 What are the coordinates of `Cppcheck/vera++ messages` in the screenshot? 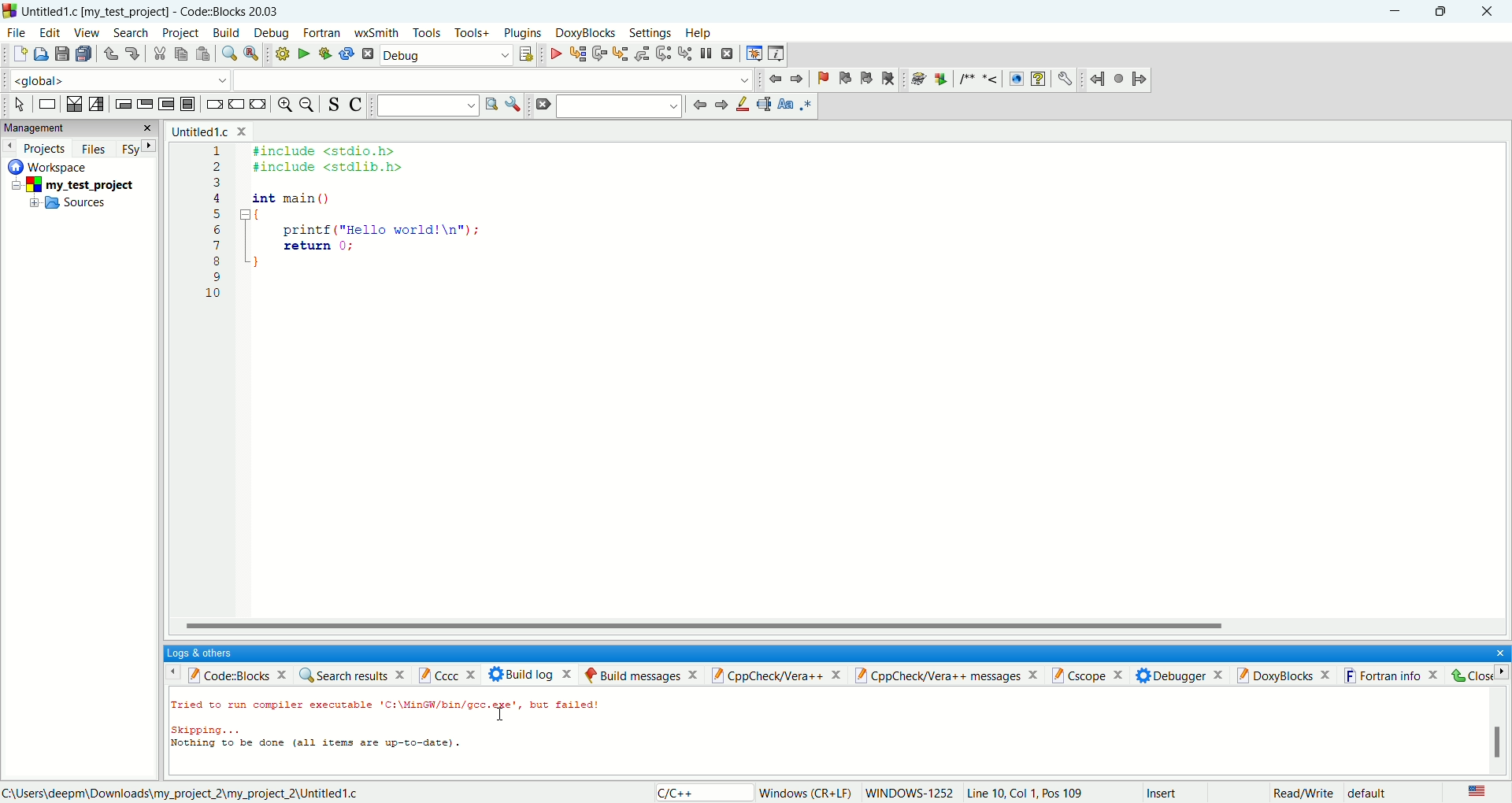 It's located at (948, 675).